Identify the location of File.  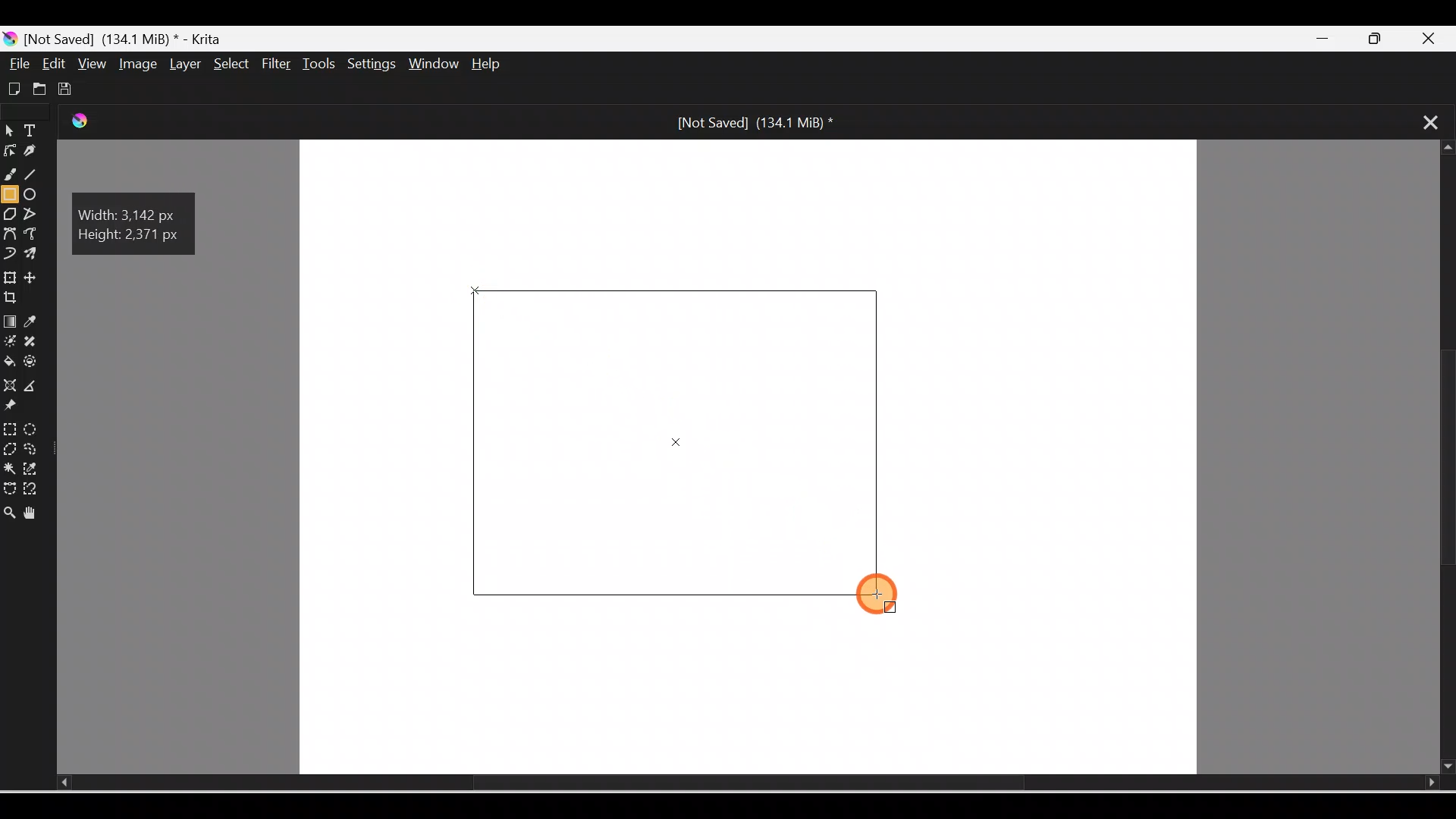
(20, 64).